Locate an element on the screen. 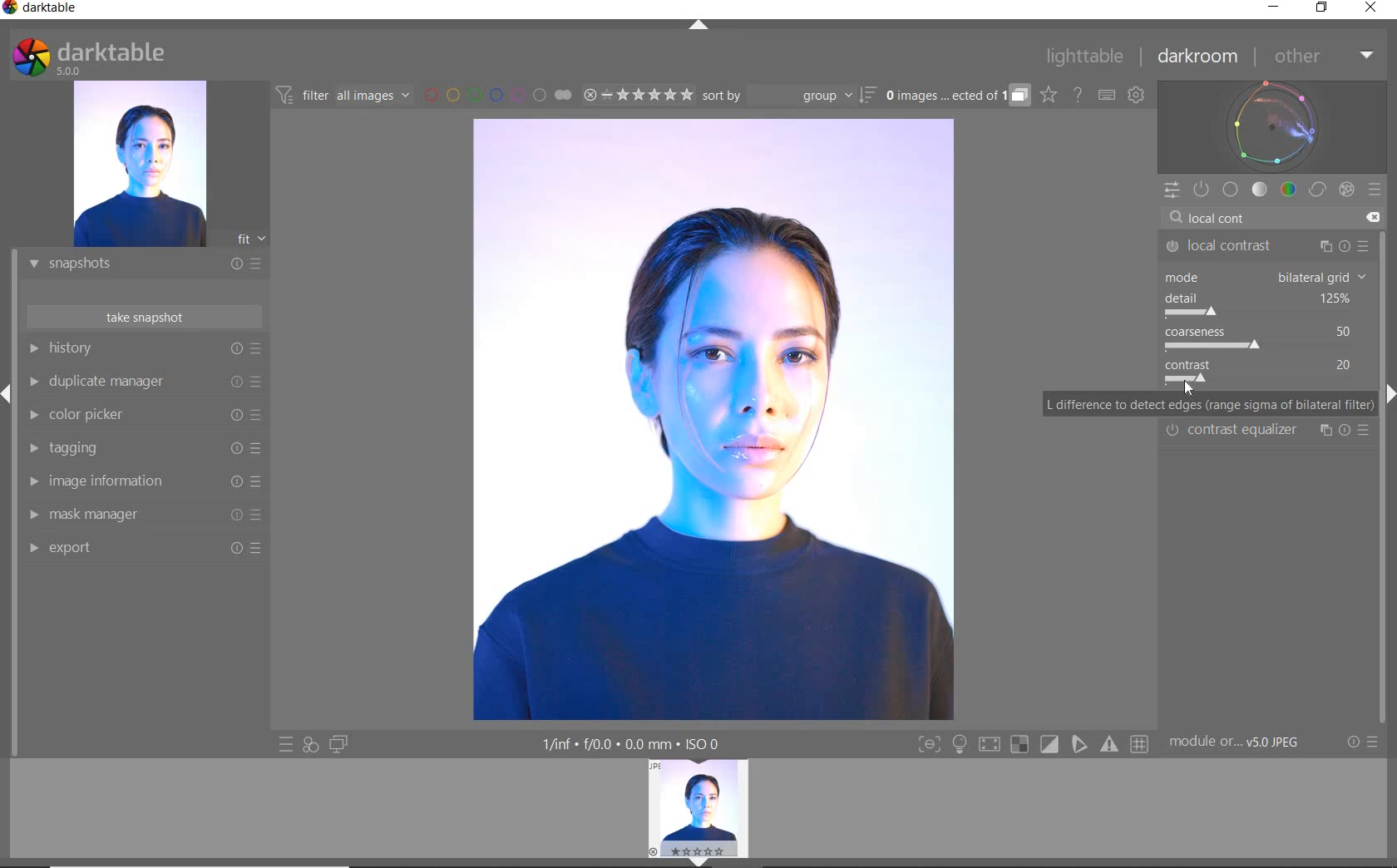 Image resolution: width=1397 pixels, height=868 pixels. mode is located at coordinates (1264, 277).